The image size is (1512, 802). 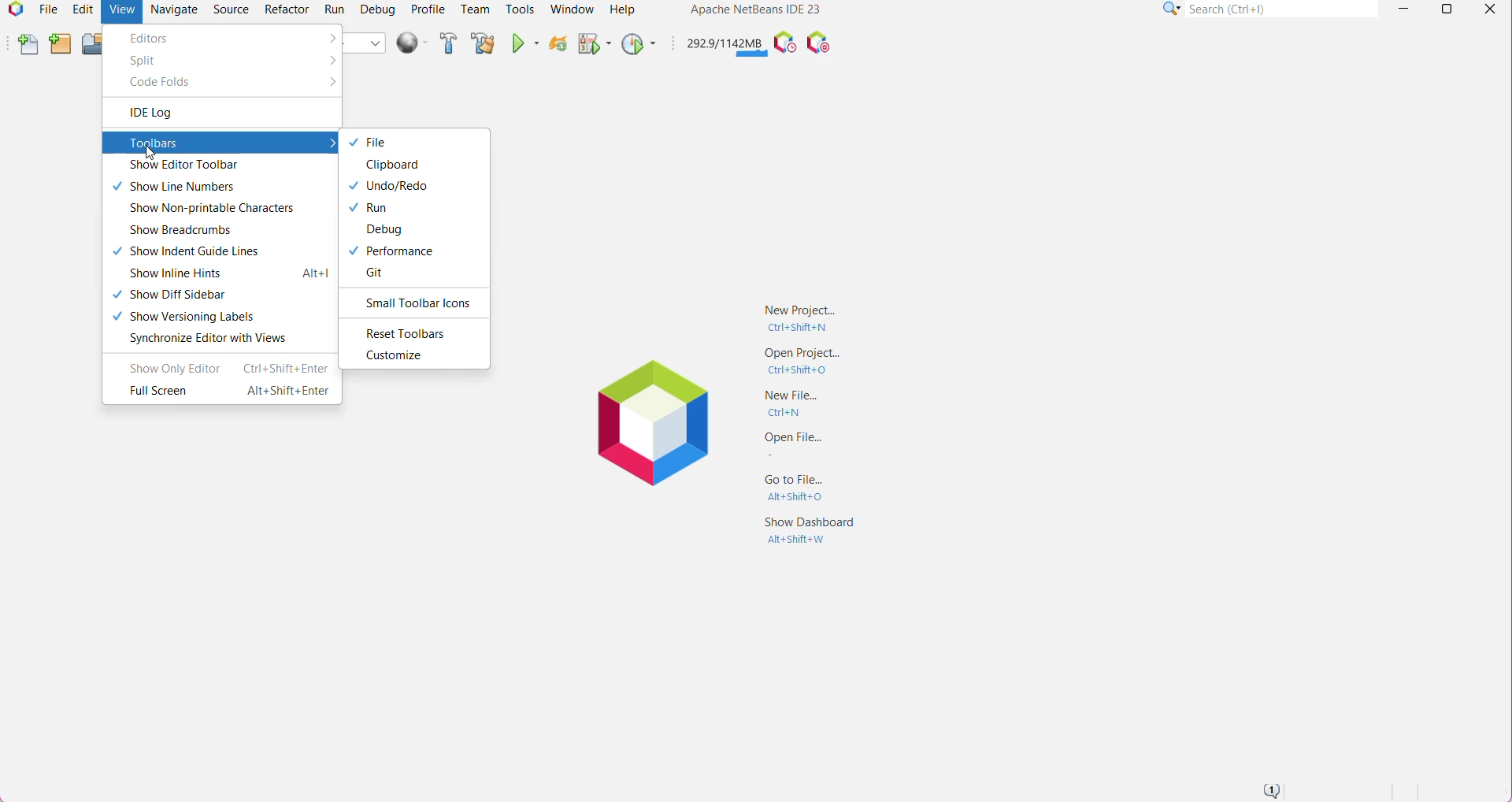 What do you see at coordinates (519, 9) in the screenshot?
I see `Tools` at bounding box center [519, 9].